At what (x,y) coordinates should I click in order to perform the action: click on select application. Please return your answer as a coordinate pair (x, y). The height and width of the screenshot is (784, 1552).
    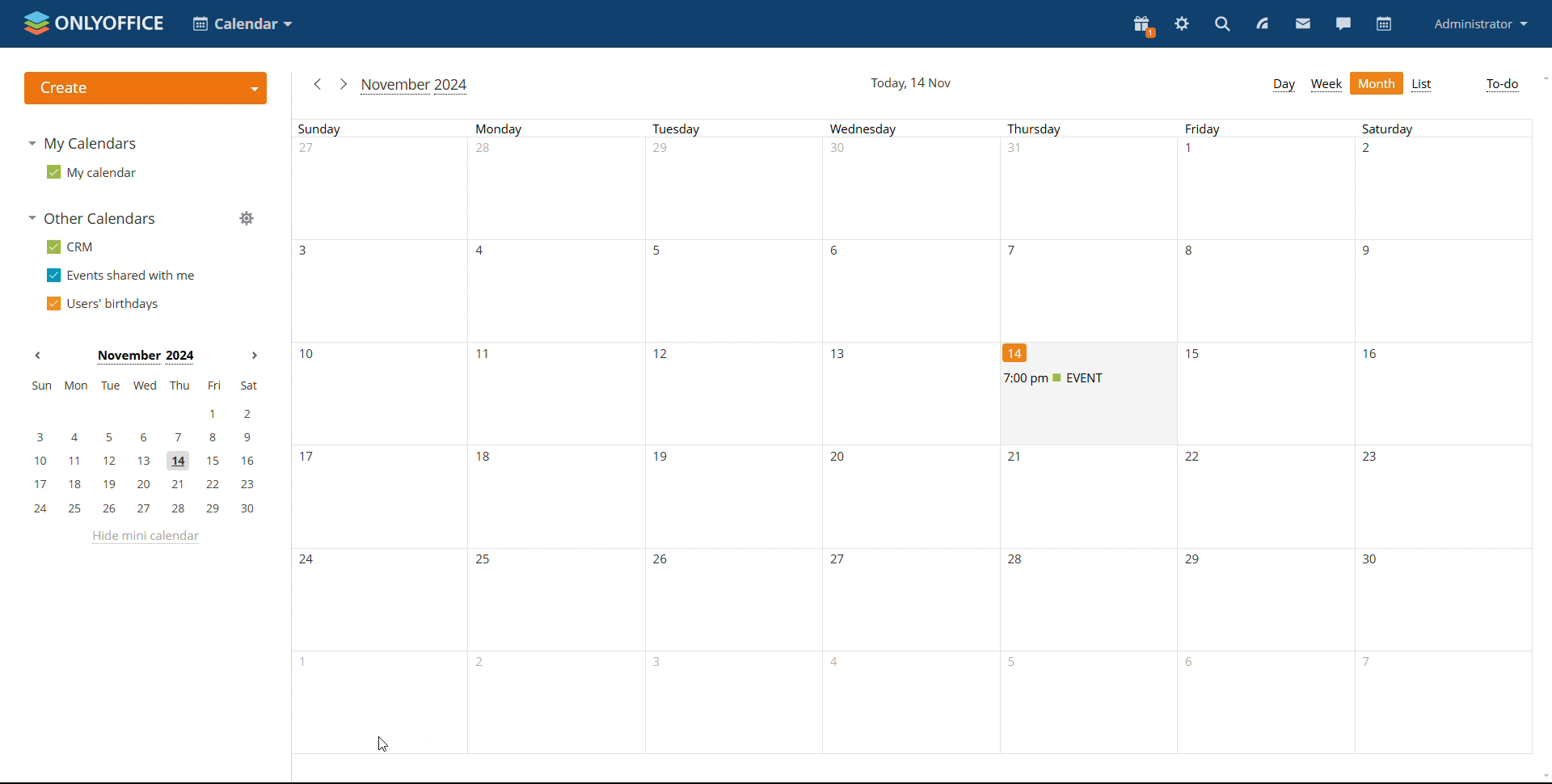
    Looking at the image, I should click on (244, 23).